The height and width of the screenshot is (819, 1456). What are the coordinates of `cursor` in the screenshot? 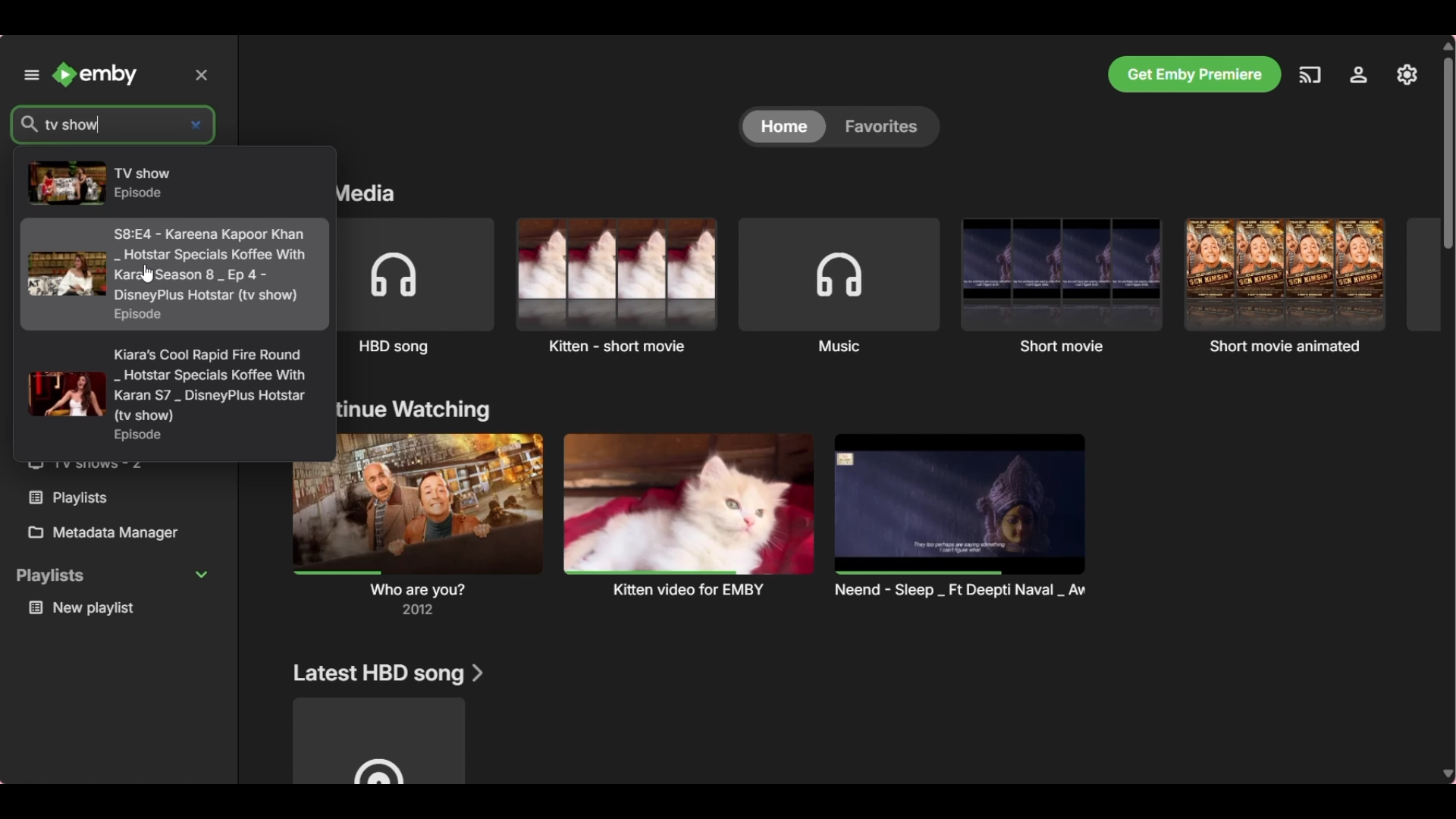 It's located at (149, 274).